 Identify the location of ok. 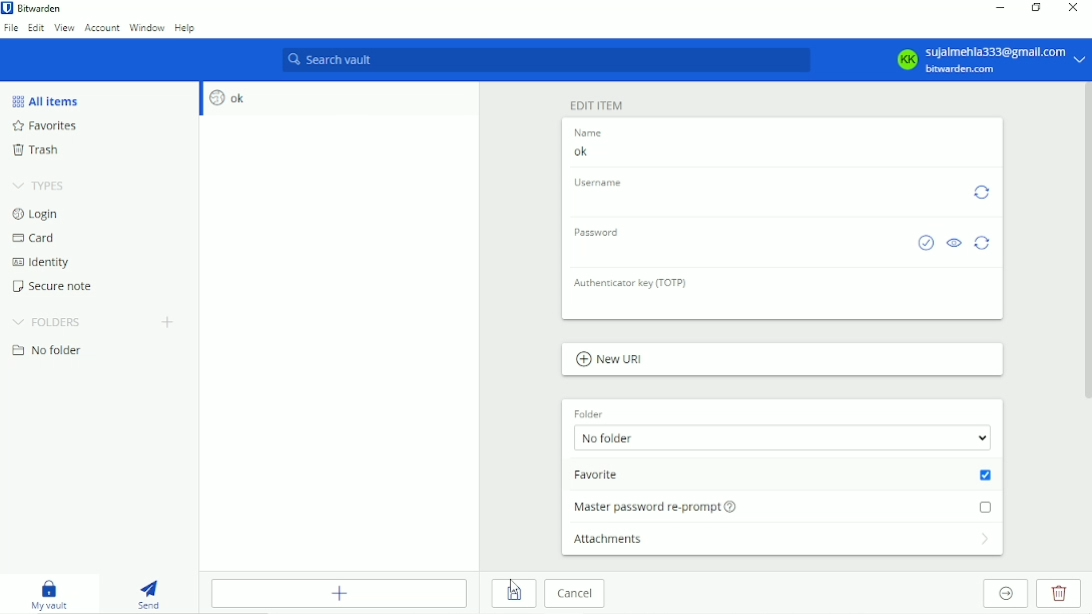
(779, 153).